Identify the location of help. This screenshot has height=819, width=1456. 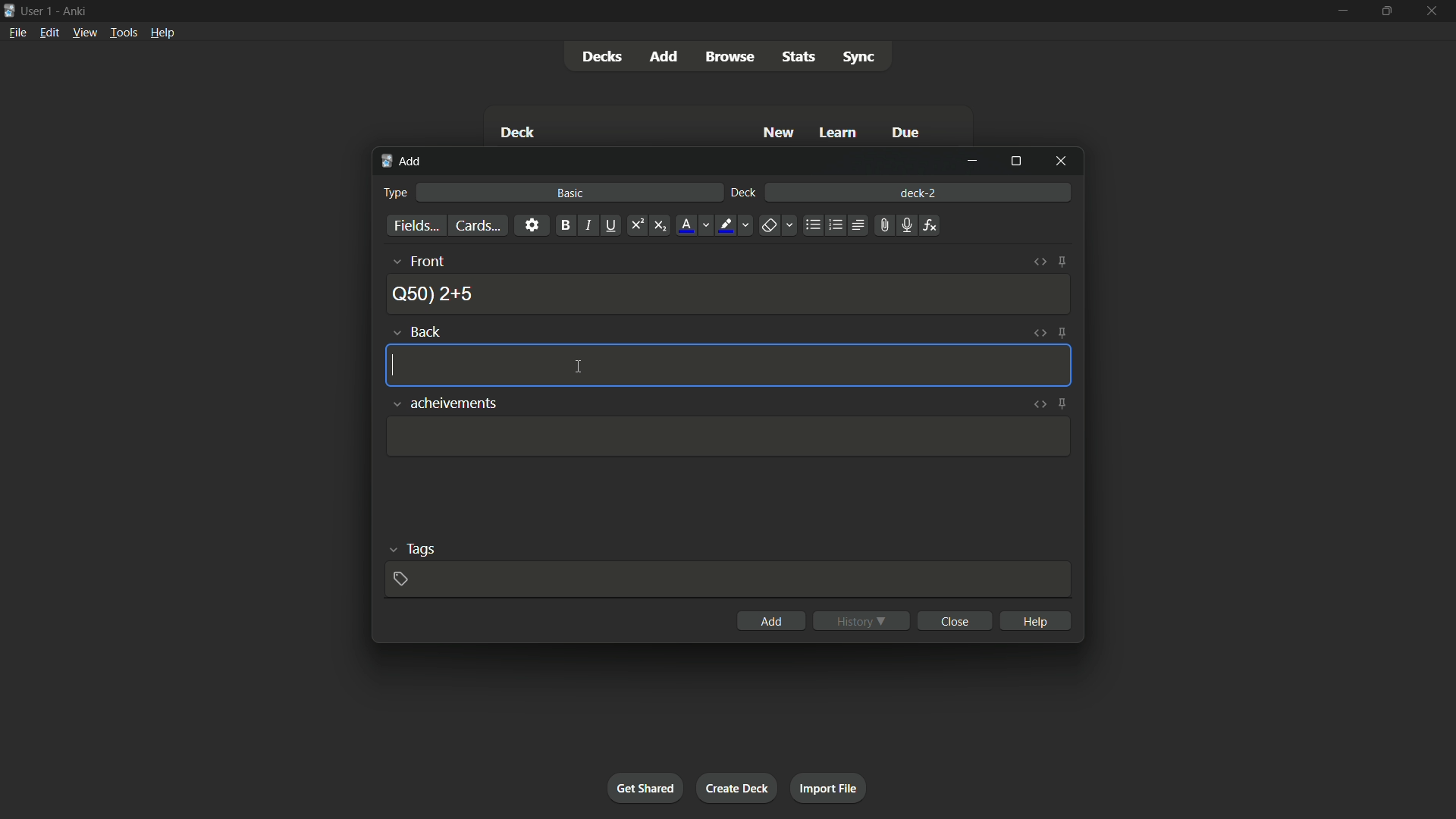
(1034, 620).